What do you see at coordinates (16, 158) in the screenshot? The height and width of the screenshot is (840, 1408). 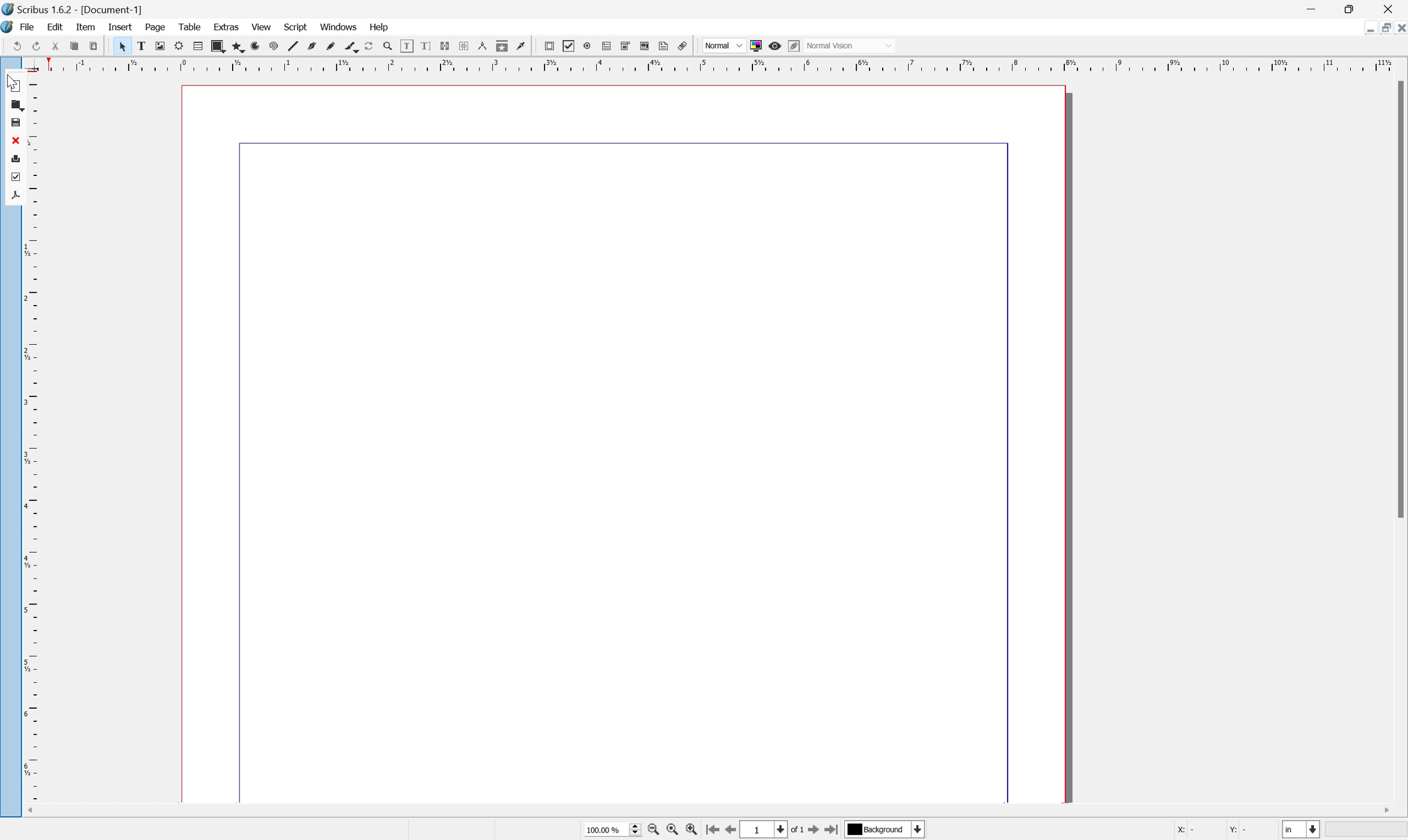 I see `print` at bounding box center [16, 158].